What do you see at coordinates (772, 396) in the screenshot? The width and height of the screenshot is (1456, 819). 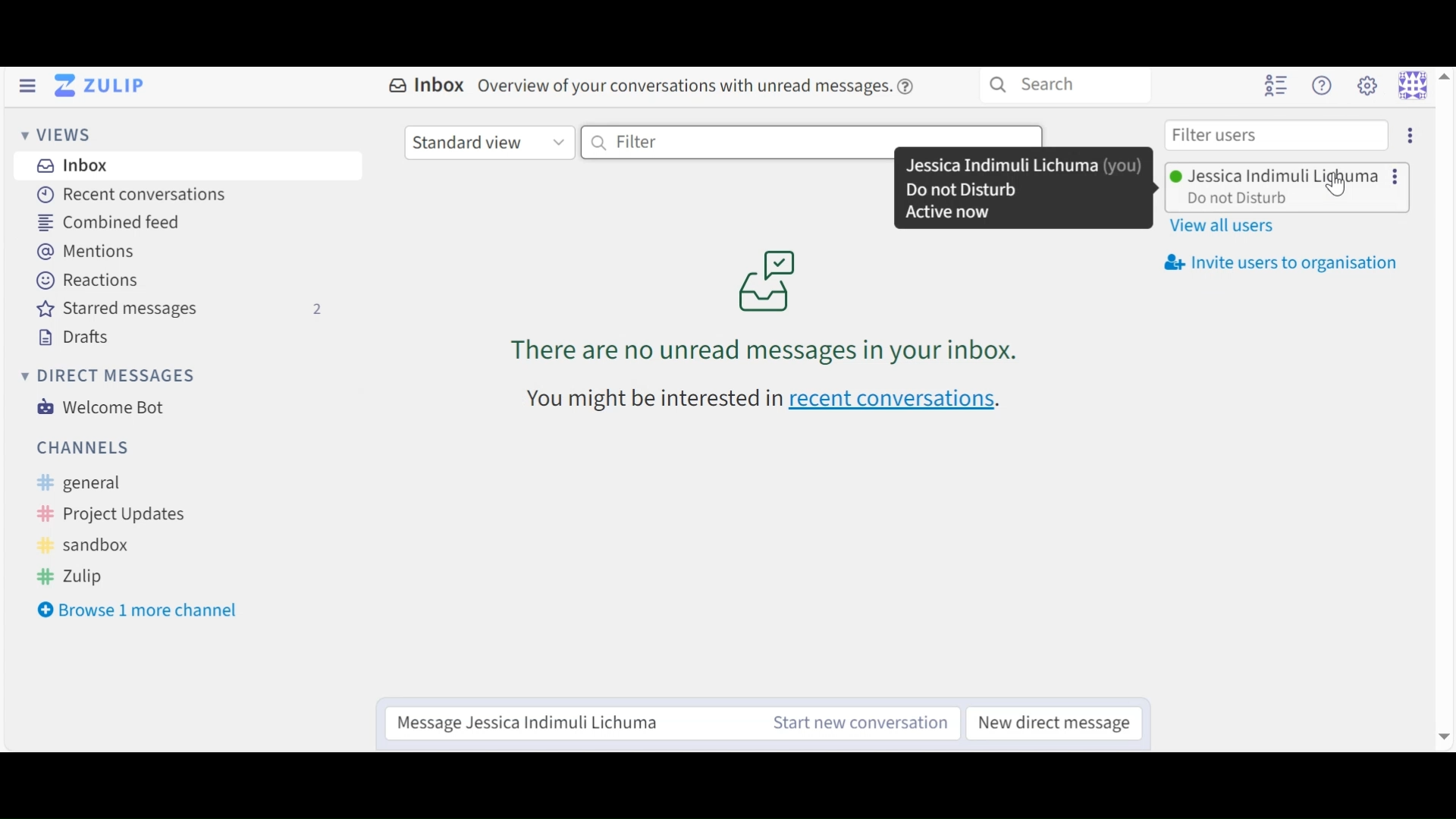 I see `recent conversations` at bounding box center [772, 396].